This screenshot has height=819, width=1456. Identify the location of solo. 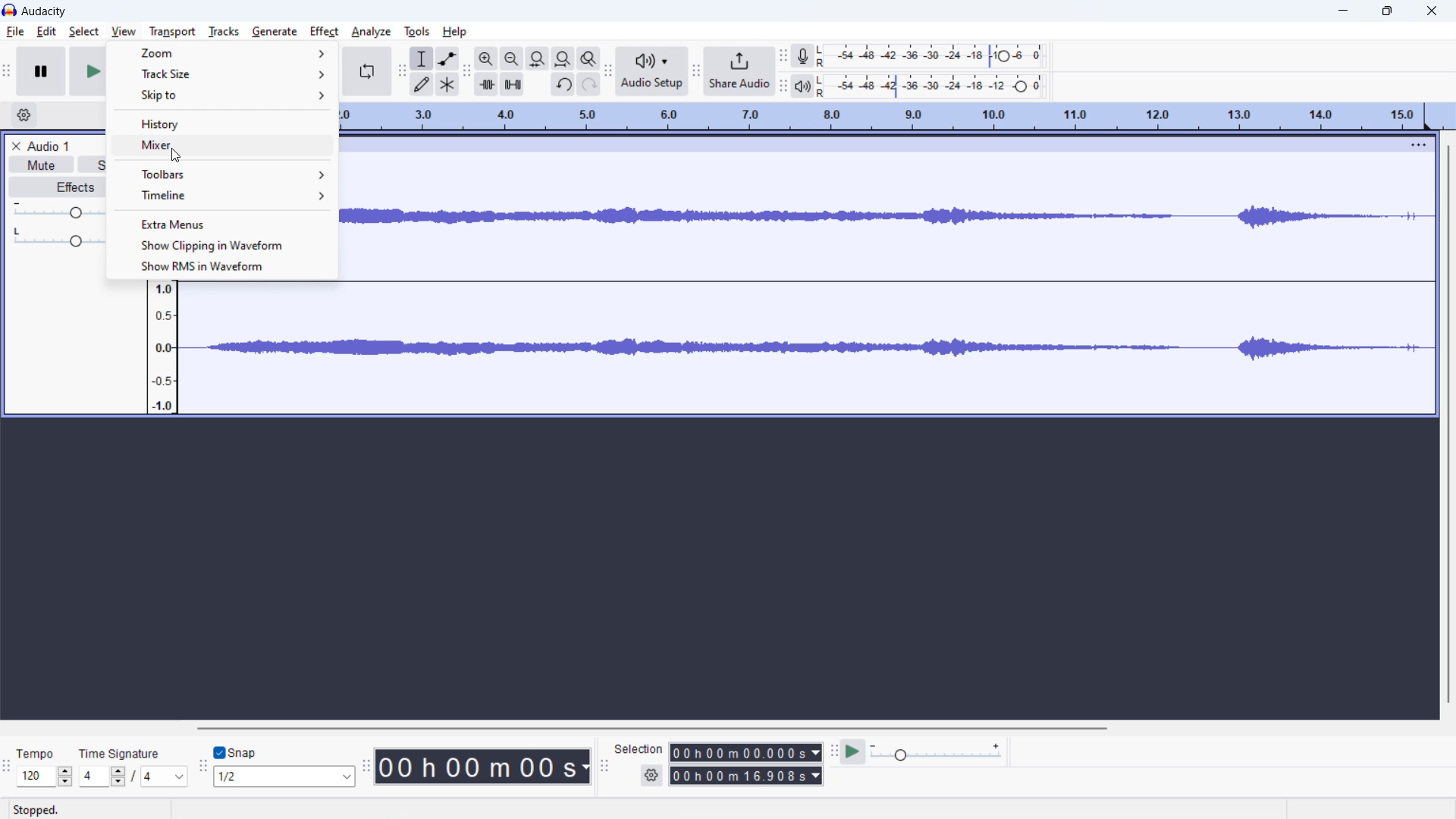
(94, 165).